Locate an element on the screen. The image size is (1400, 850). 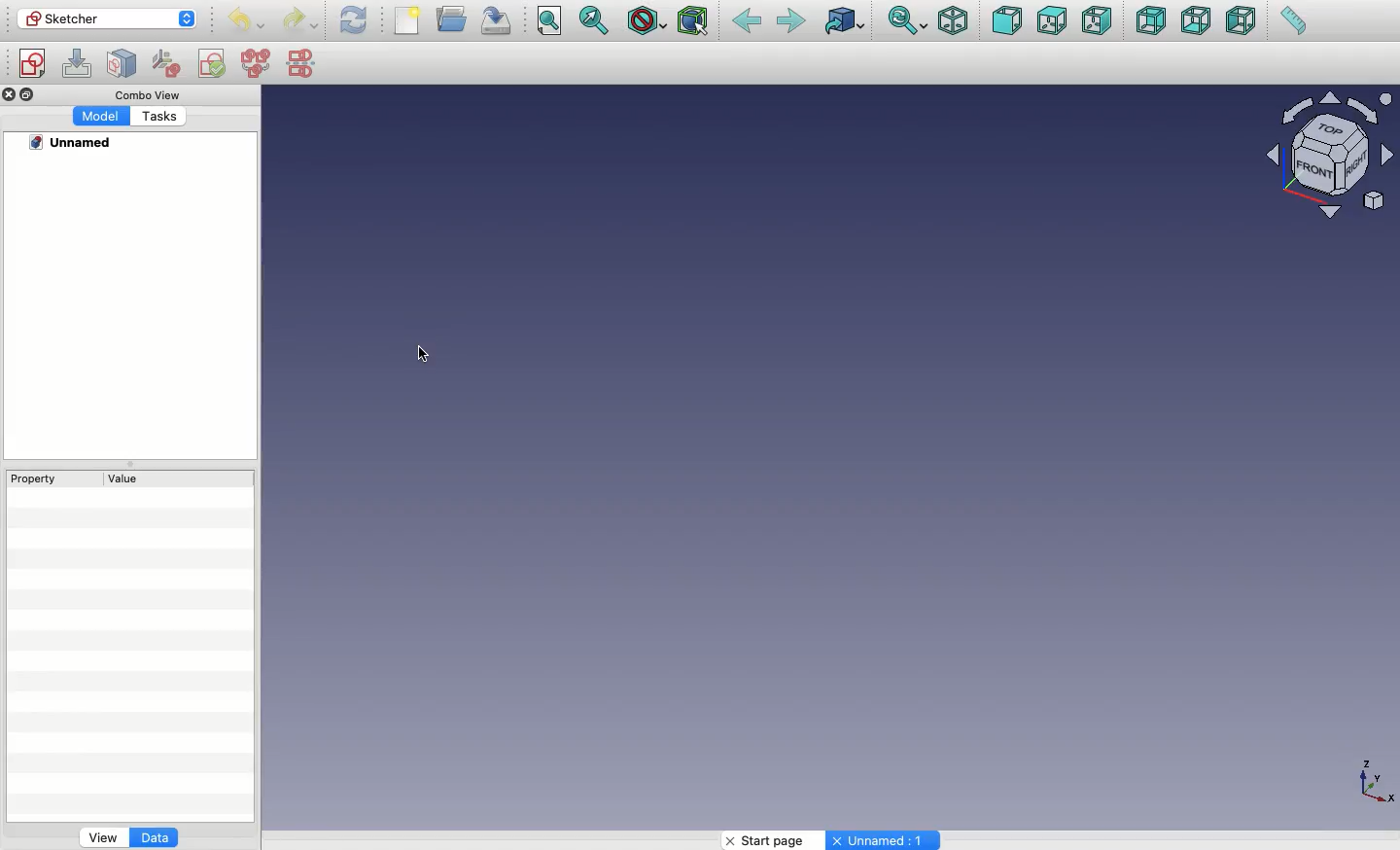
Front is located at coordinates (1006, 23).